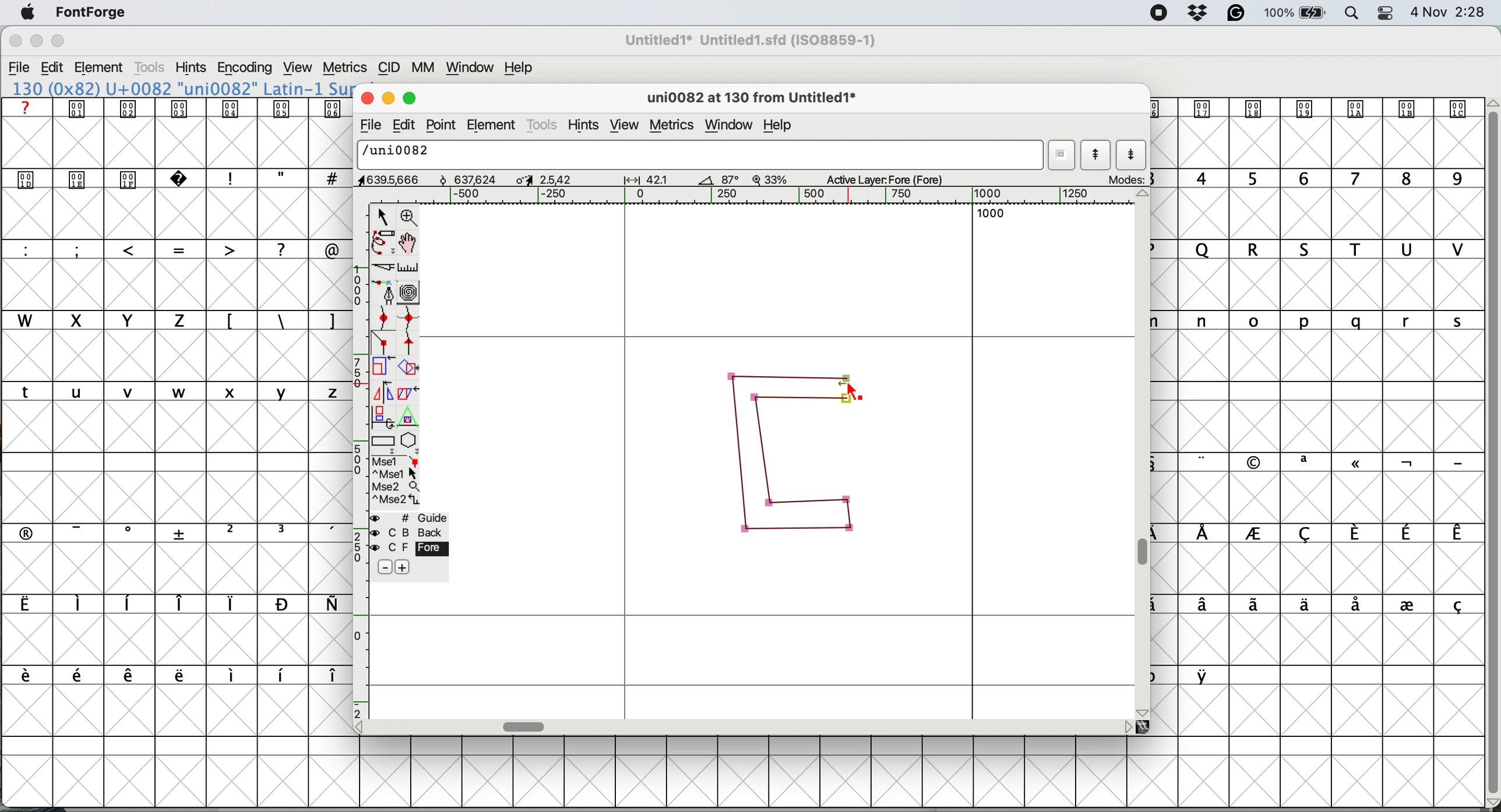 Image resolution: width=1501 pixels, height=812 pixels. What do you see at coordinates (1132, 156) in the screenshot?
I see `show next letter` at bounding box center [1132, 156].